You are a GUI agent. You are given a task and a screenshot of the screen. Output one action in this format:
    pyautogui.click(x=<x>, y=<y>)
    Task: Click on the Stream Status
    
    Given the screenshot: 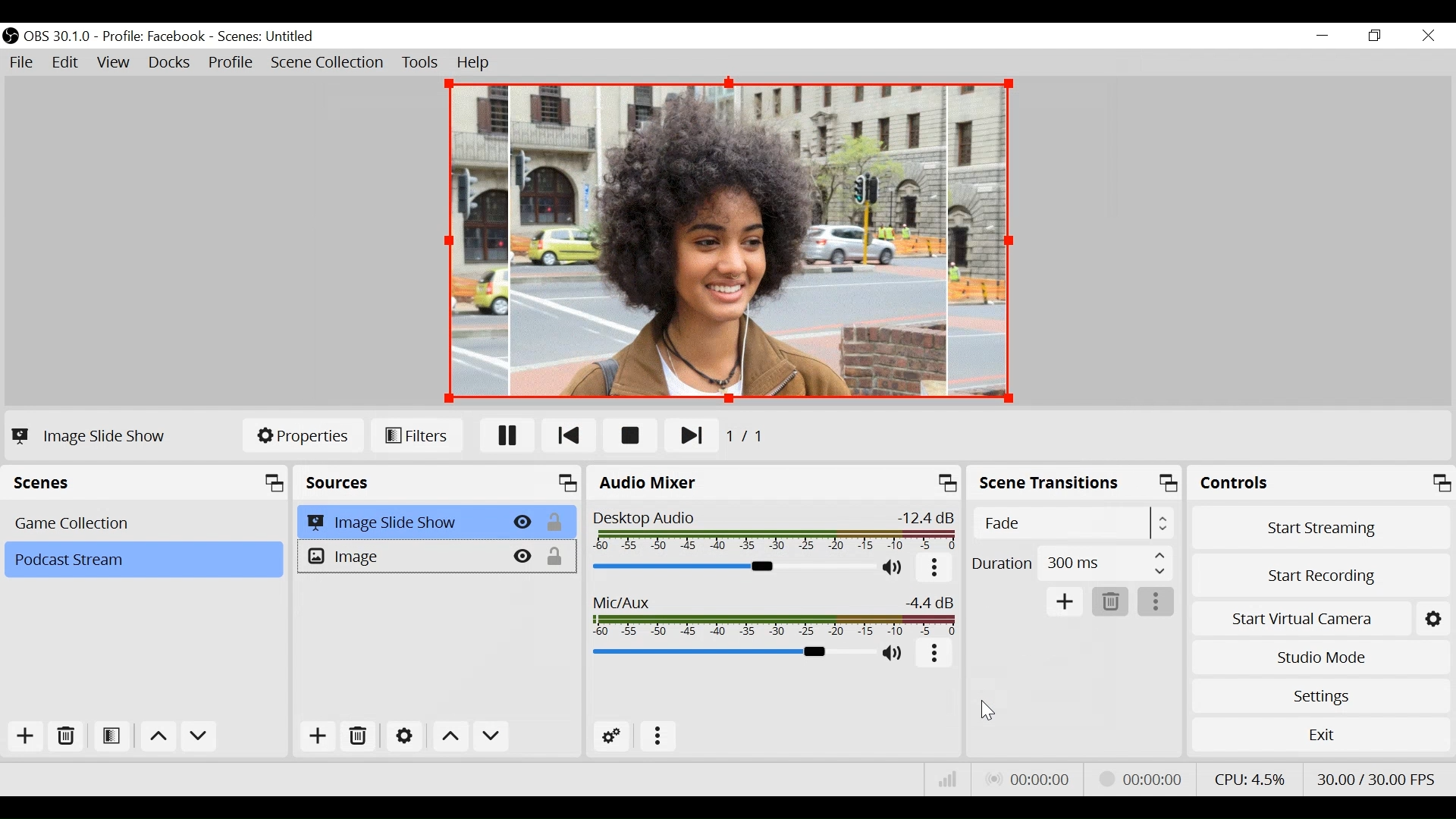 What is the action you would take?
    pyautogui.click(x=1141, y=777)
    